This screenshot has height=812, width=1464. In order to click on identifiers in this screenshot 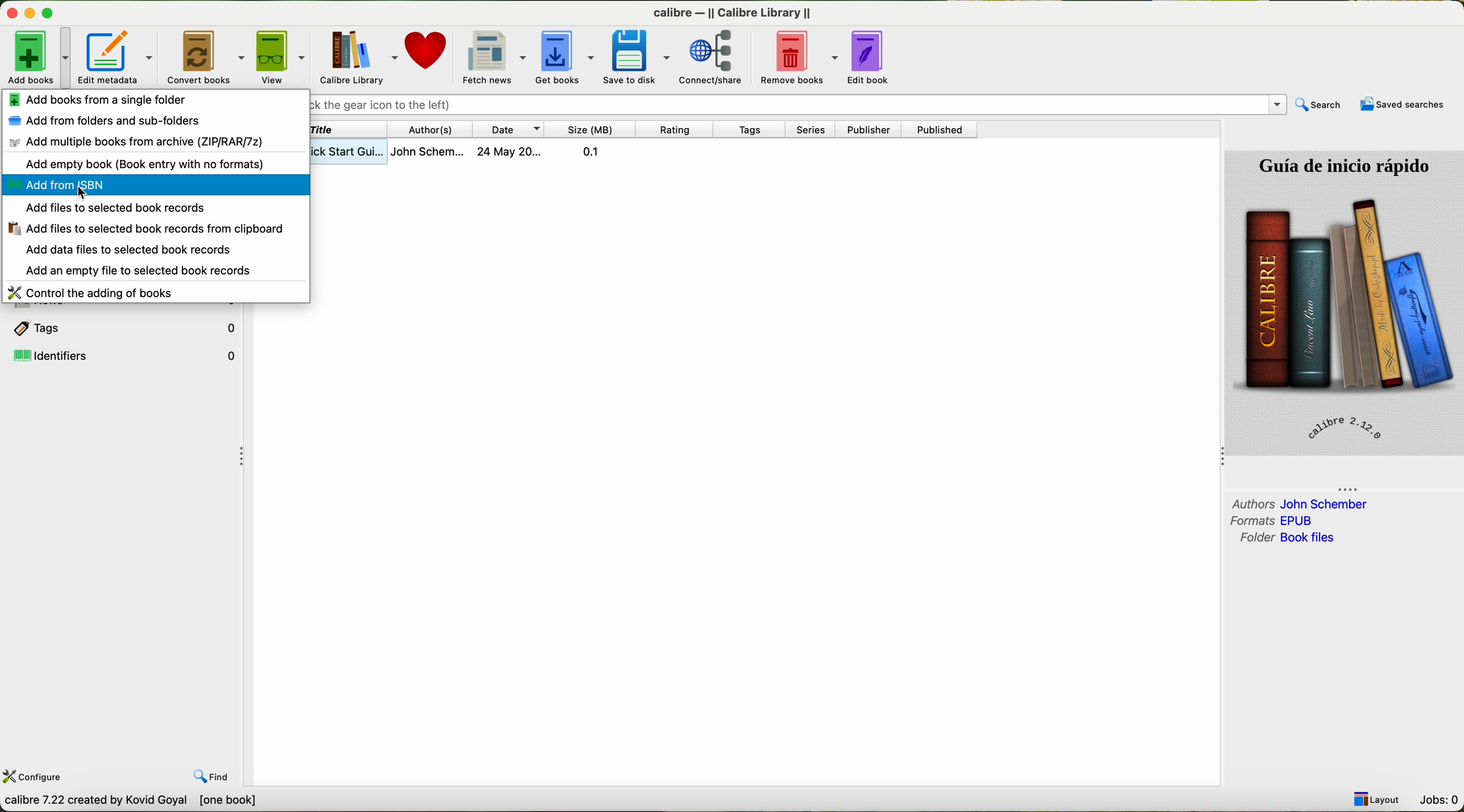, I will do `click(123, 356)`.